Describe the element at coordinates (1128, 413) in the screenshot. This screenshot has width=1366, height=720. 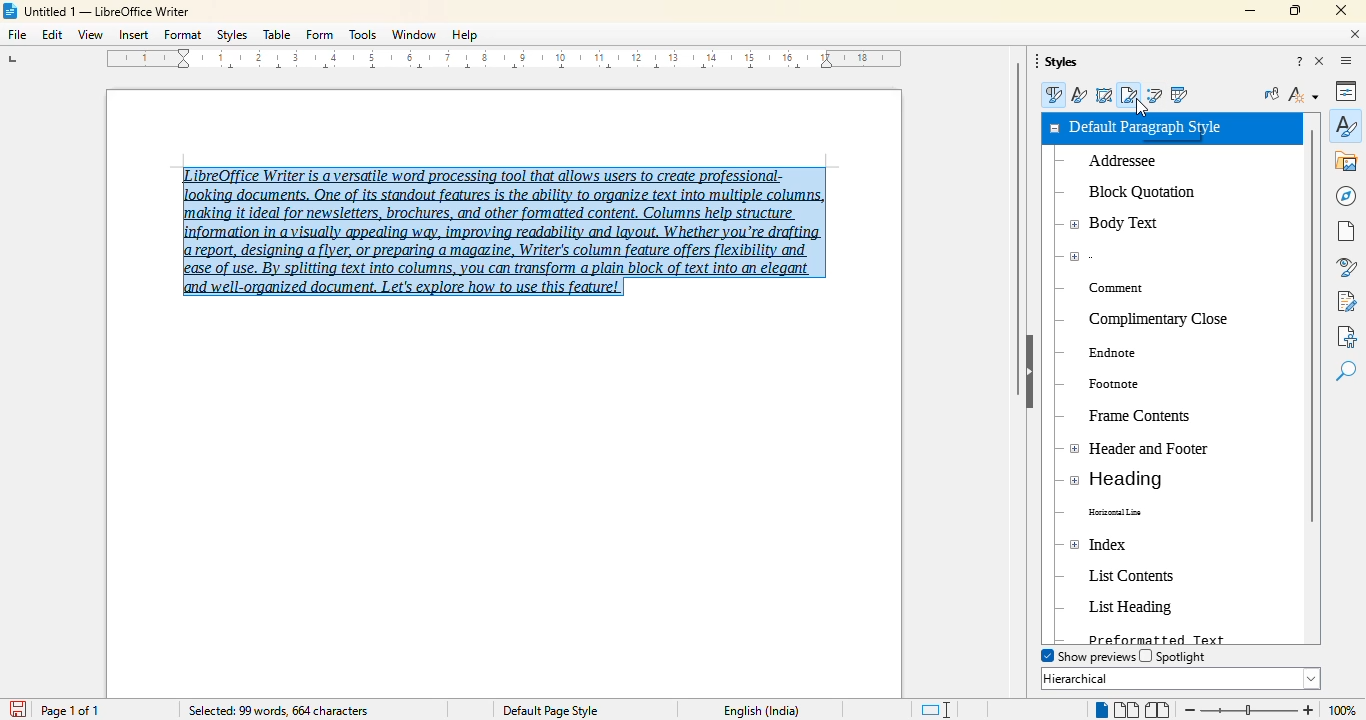
I see `Frame Contents` at that location.